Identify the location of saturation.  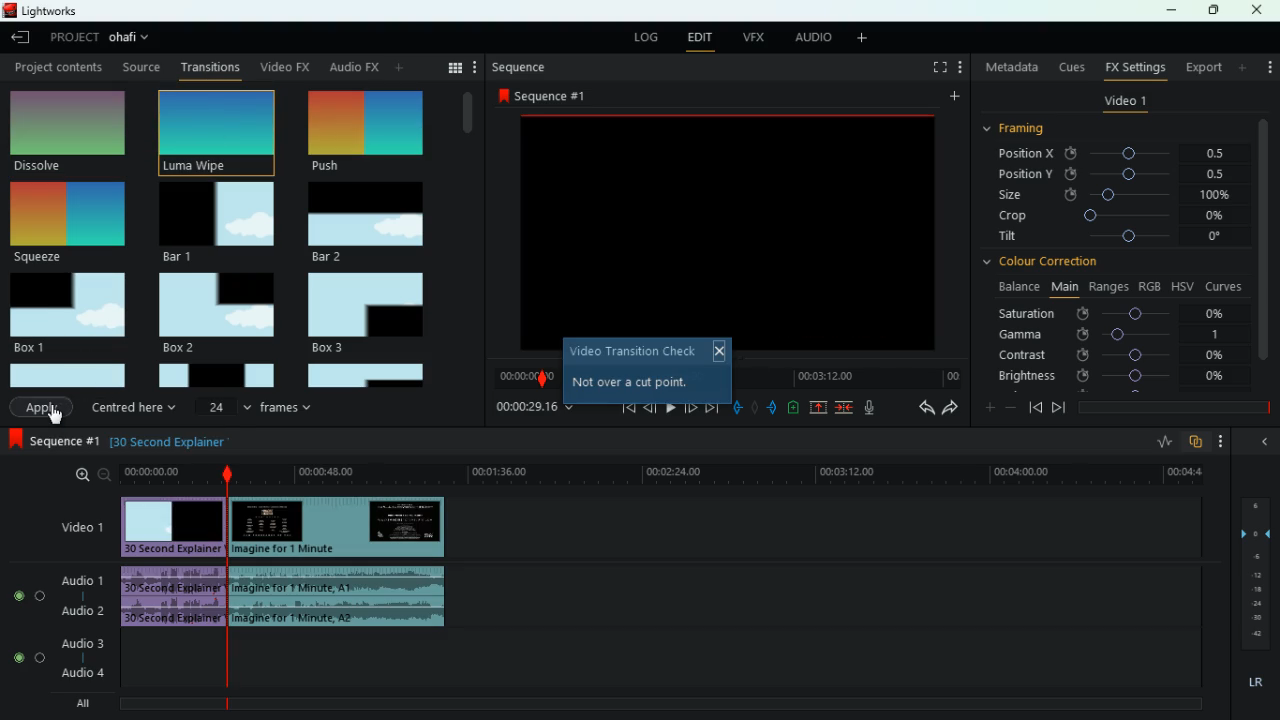
(1116, 313).